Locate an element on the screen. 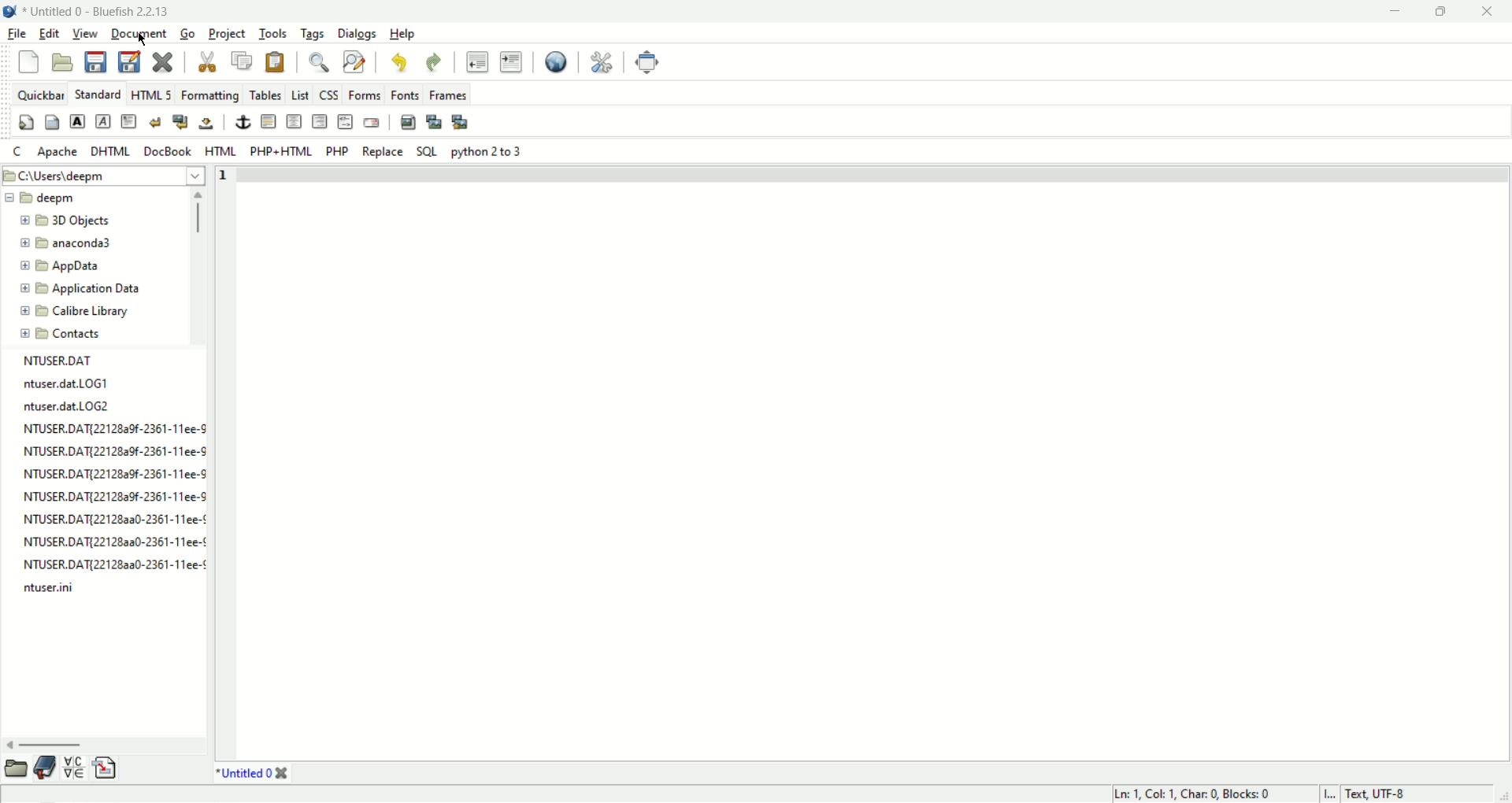 Image resolution: width=1512 pixels, height=803 pixels. folder name is located at coordinates (67, 219).